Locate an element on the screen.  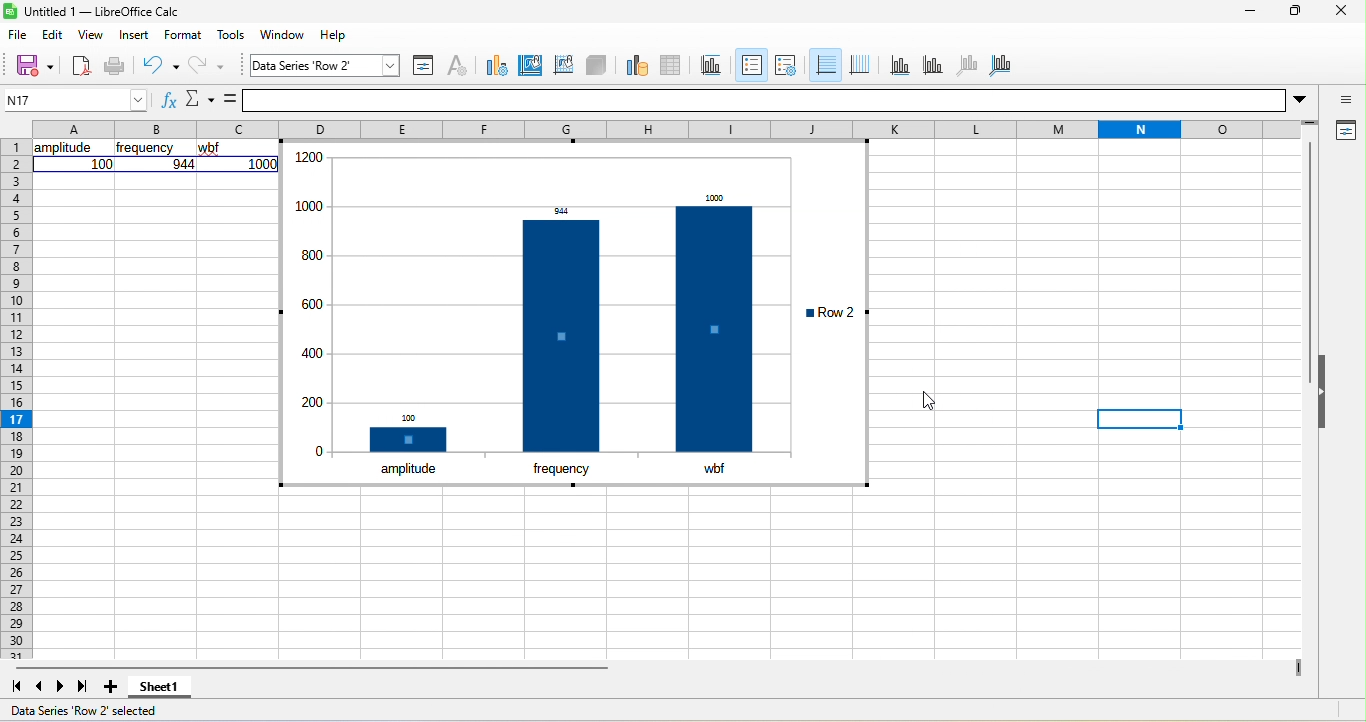
tools is located at coordinates (230, 34).